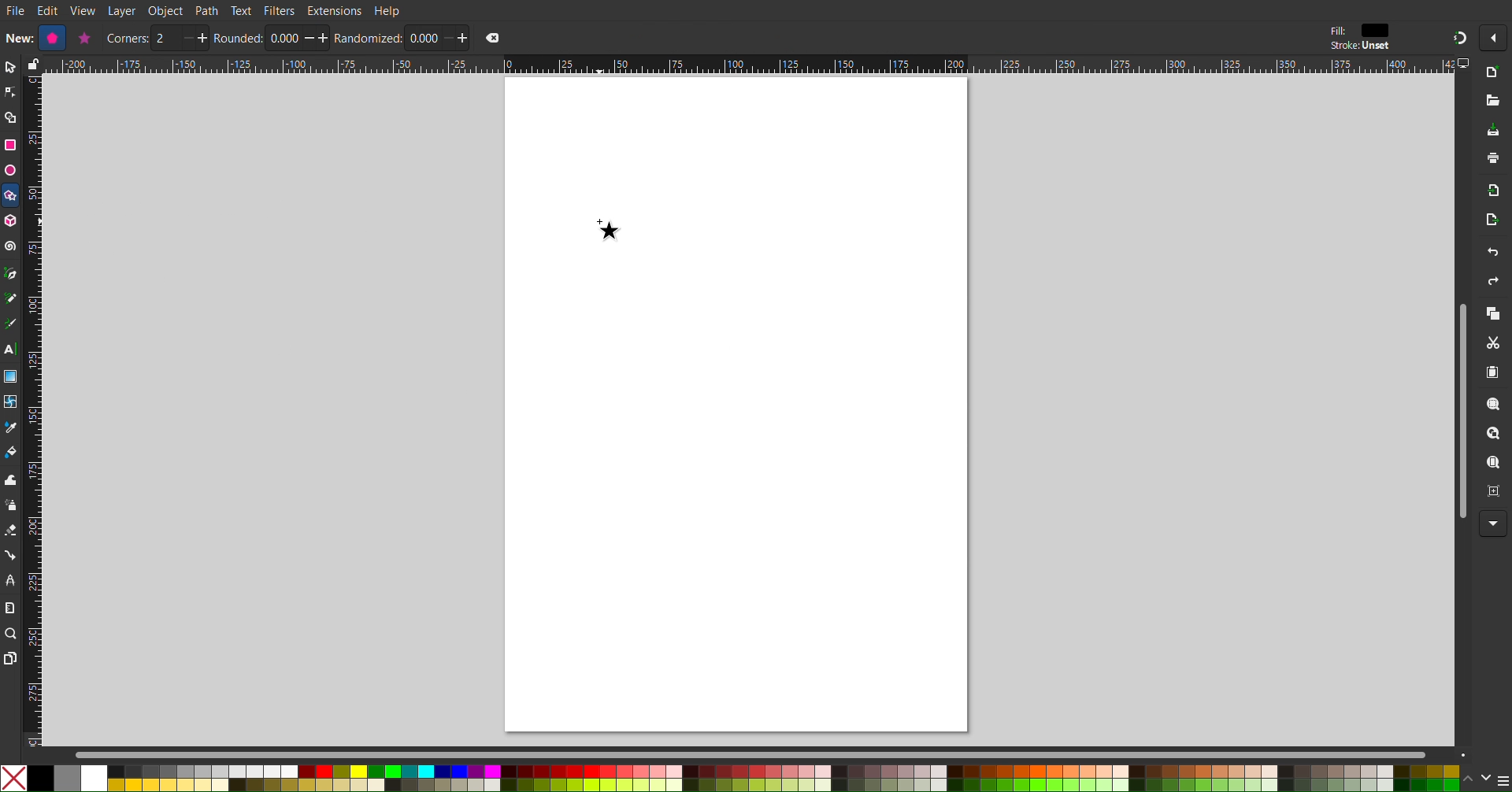  What do you see at coordinates (1503, 780) in the screenshot?
I see `menu` at bounding box center [1503, 780].